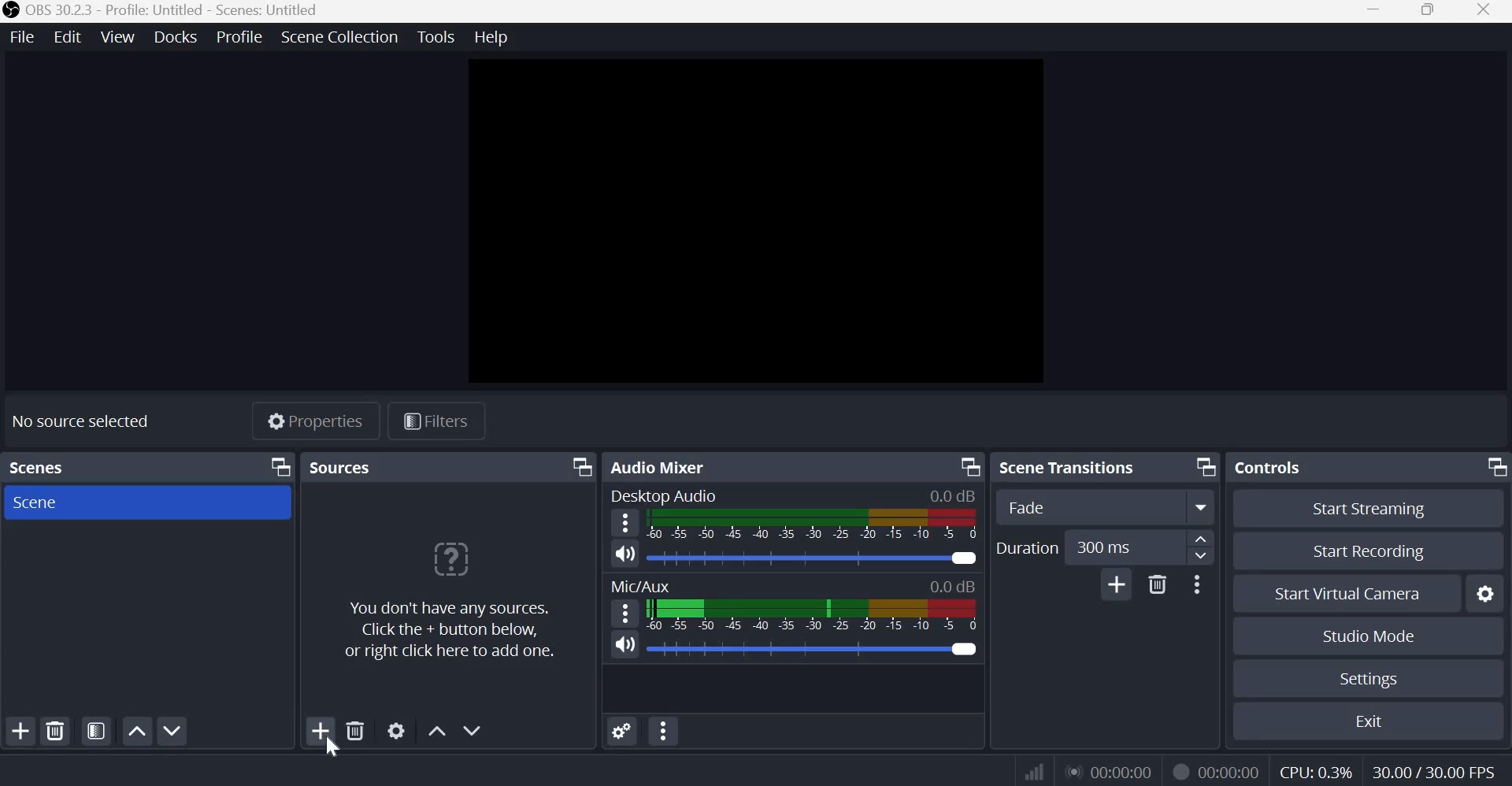 This screenshot has height=786, width=1512. What do you see at coordinates (69, 35) in the screenshot?
I see `Edit` at bounding box center [69, 35].